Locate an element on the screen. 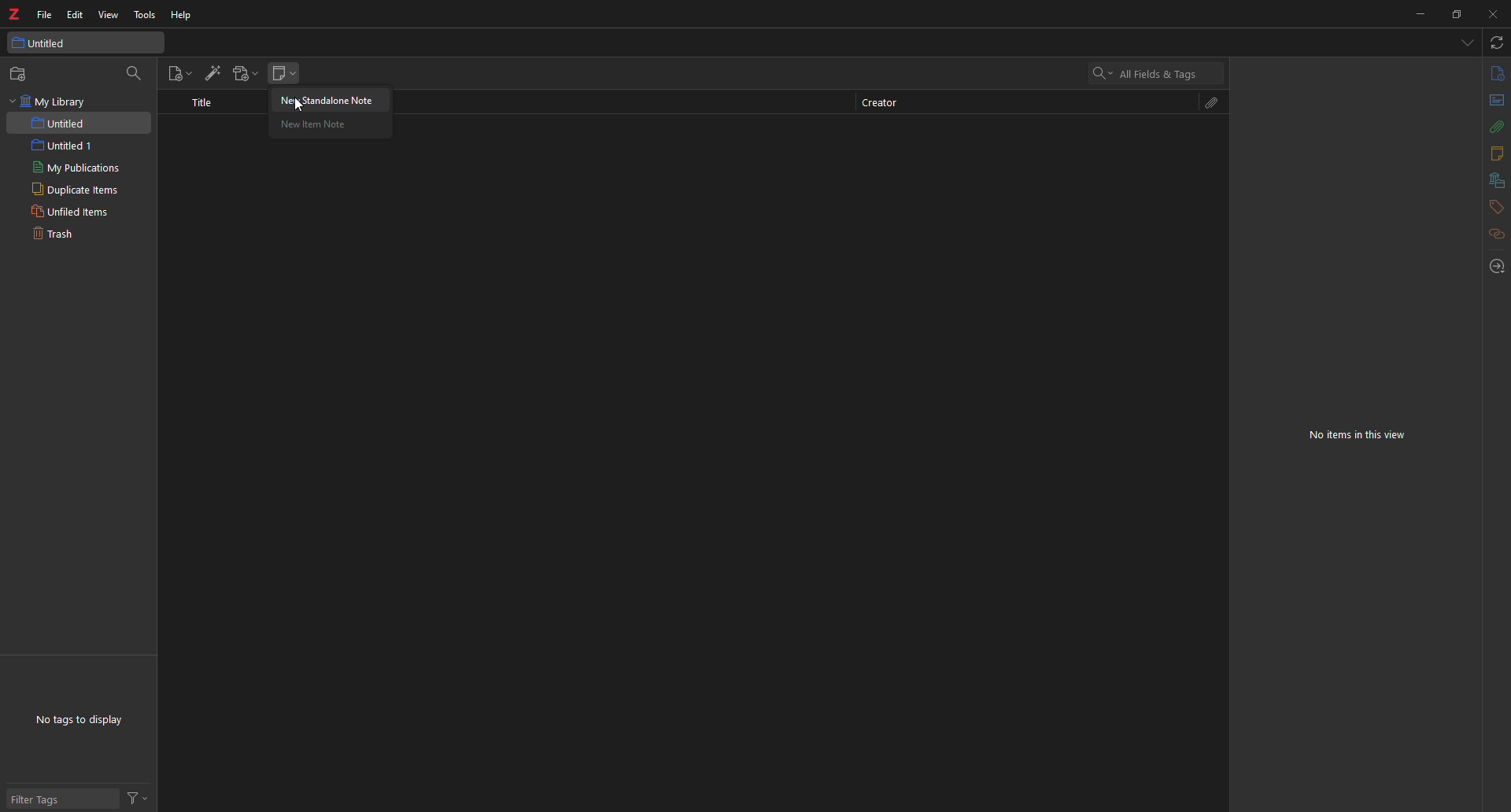 This screenshot has height=812, width=1511. z is located at coordinates (14, 15).